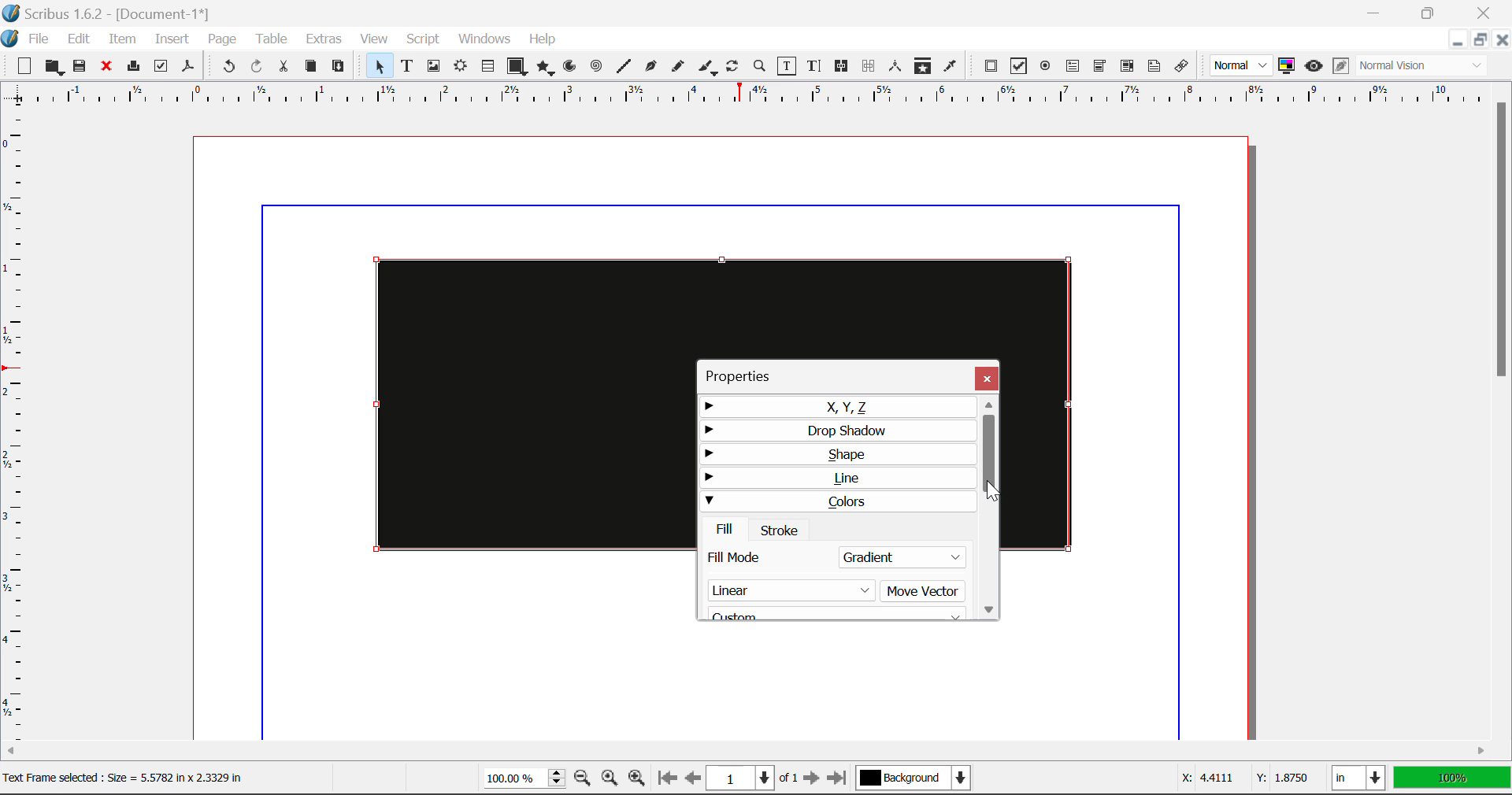 This screenshot has width=1512, height=795. Describe the element at coordinates (1287, 66) in the screenshot. I see `Toggle Color Management` at that location.